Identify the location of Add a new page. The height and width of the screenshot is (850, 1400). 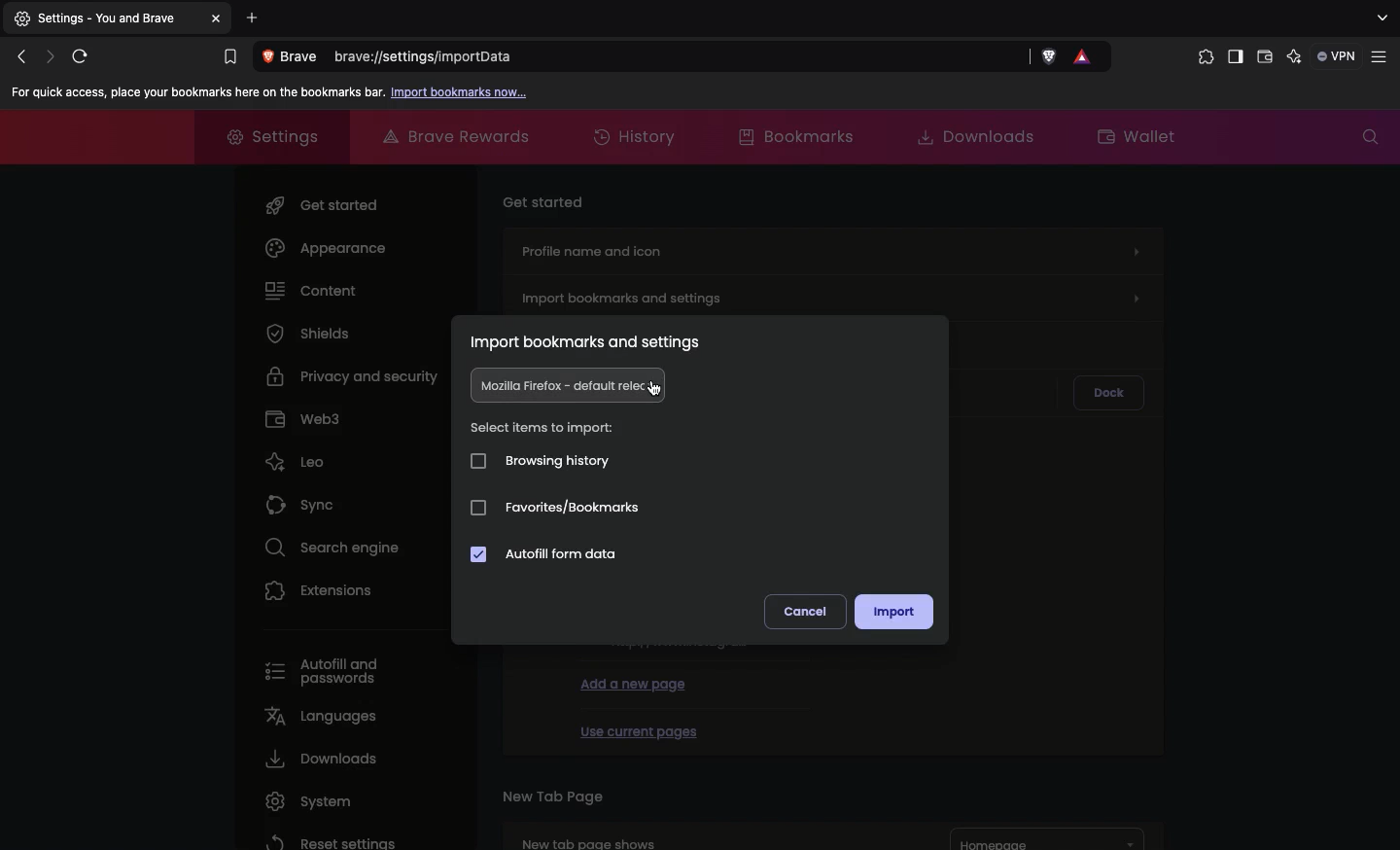
(634, 683).